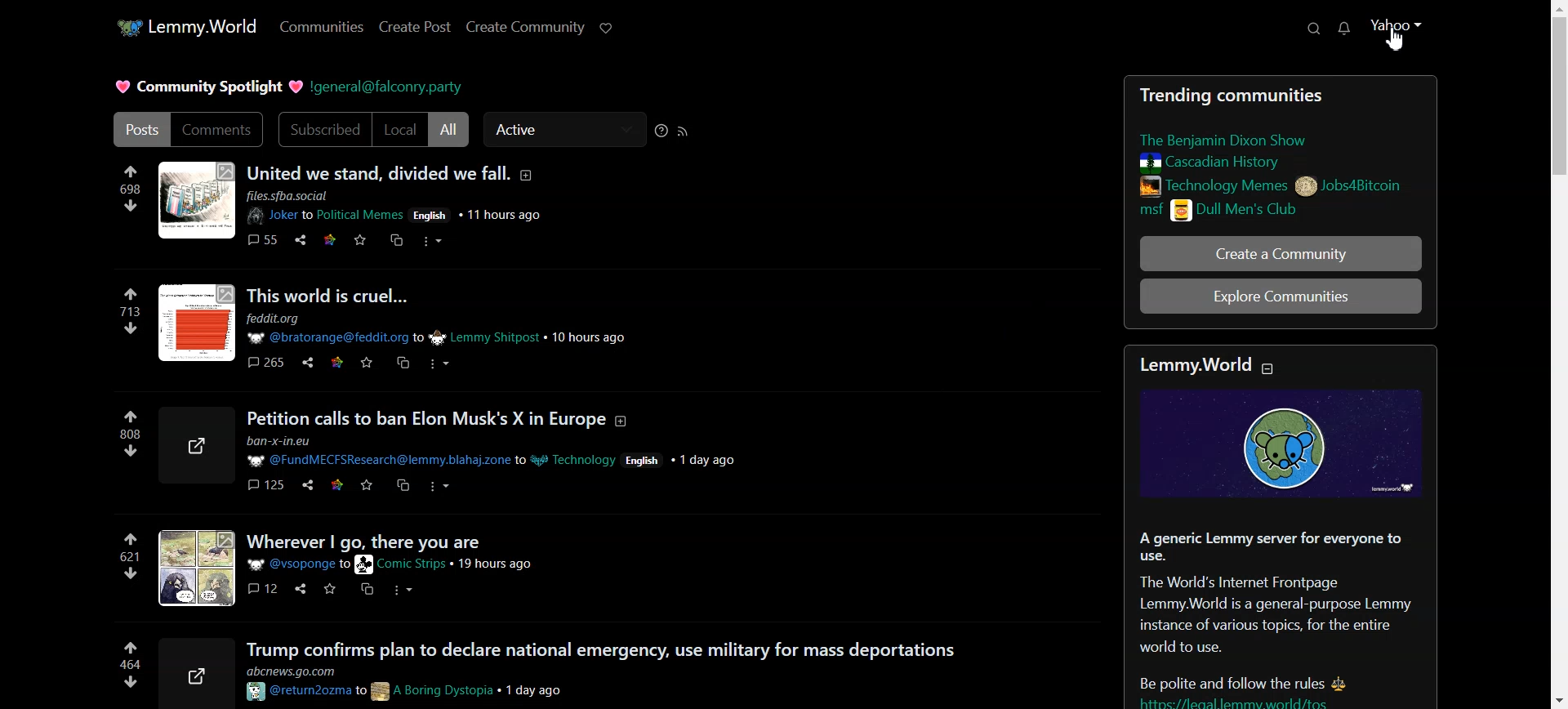 This screenshot has height=709, width=1568. What do you see at coordinates (371, 489) in the screenshot?
I see `star` at bounding box center [371, 489].